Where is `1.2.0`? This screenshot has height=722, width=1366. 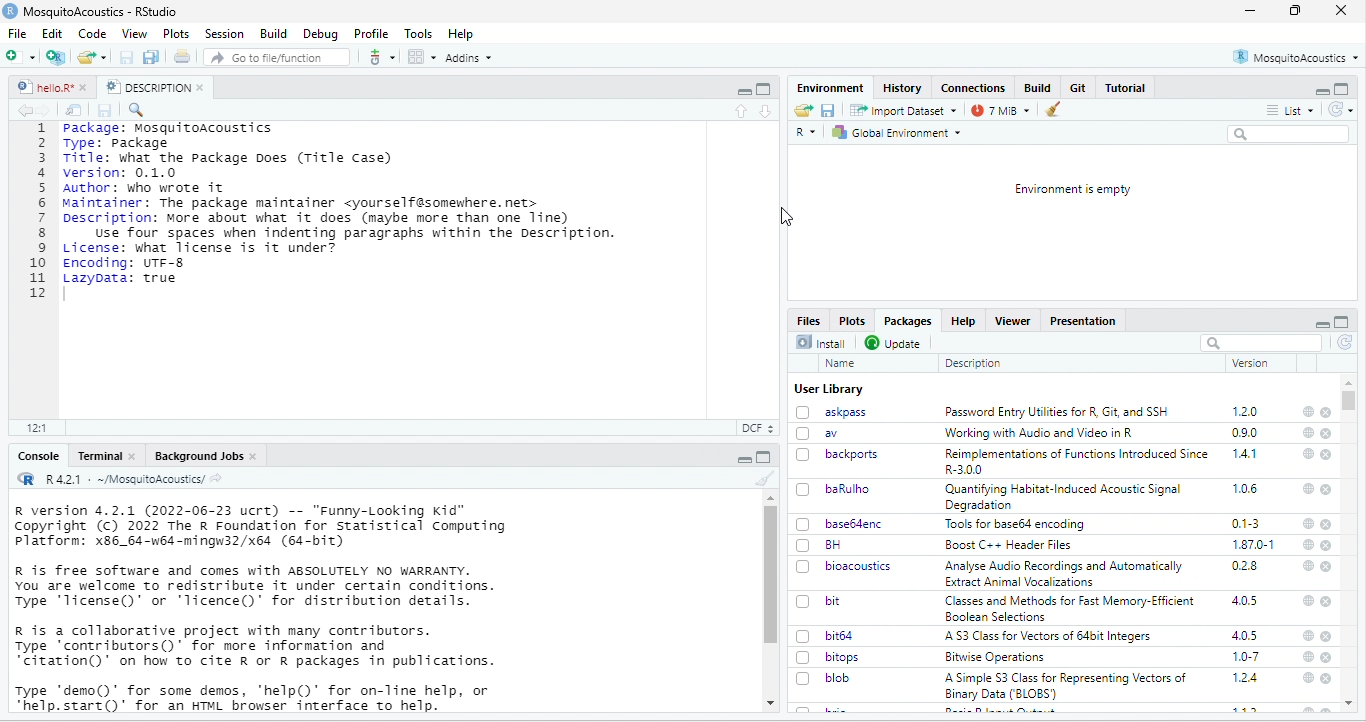
1.2.0 is located at coordinates (1246, 411).